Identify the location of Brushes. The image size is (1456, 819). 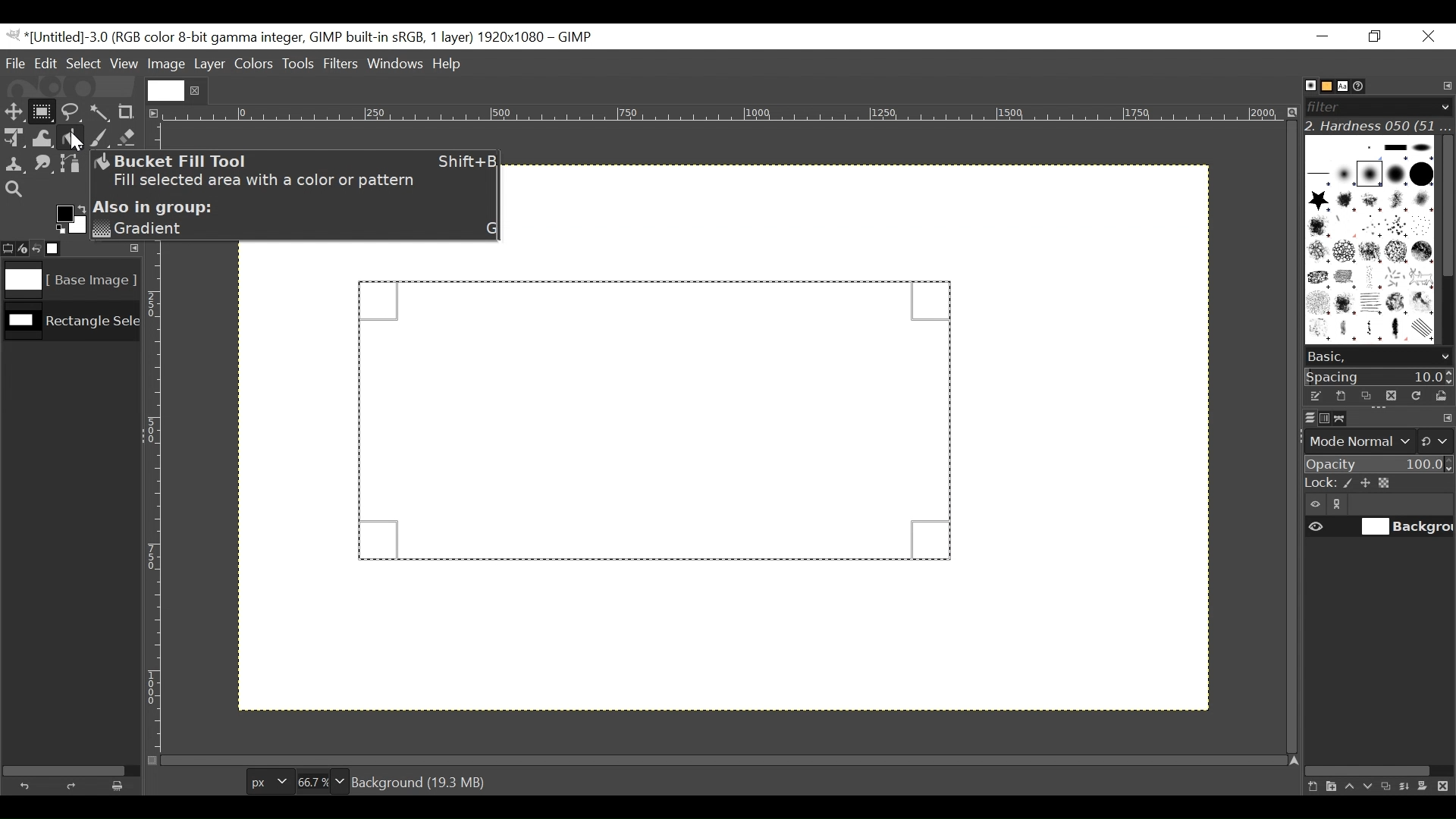
(1303, 86).